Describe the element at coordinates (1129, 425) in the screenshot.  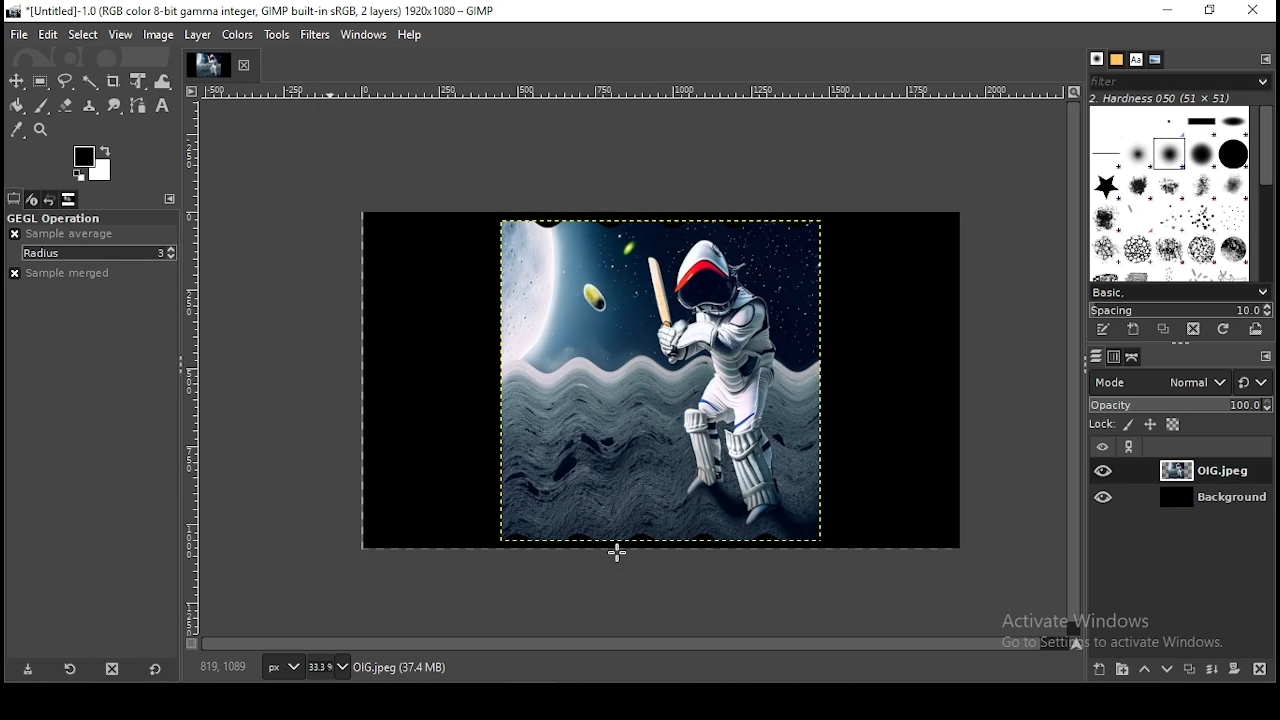
I see `lock pixel` at that location.